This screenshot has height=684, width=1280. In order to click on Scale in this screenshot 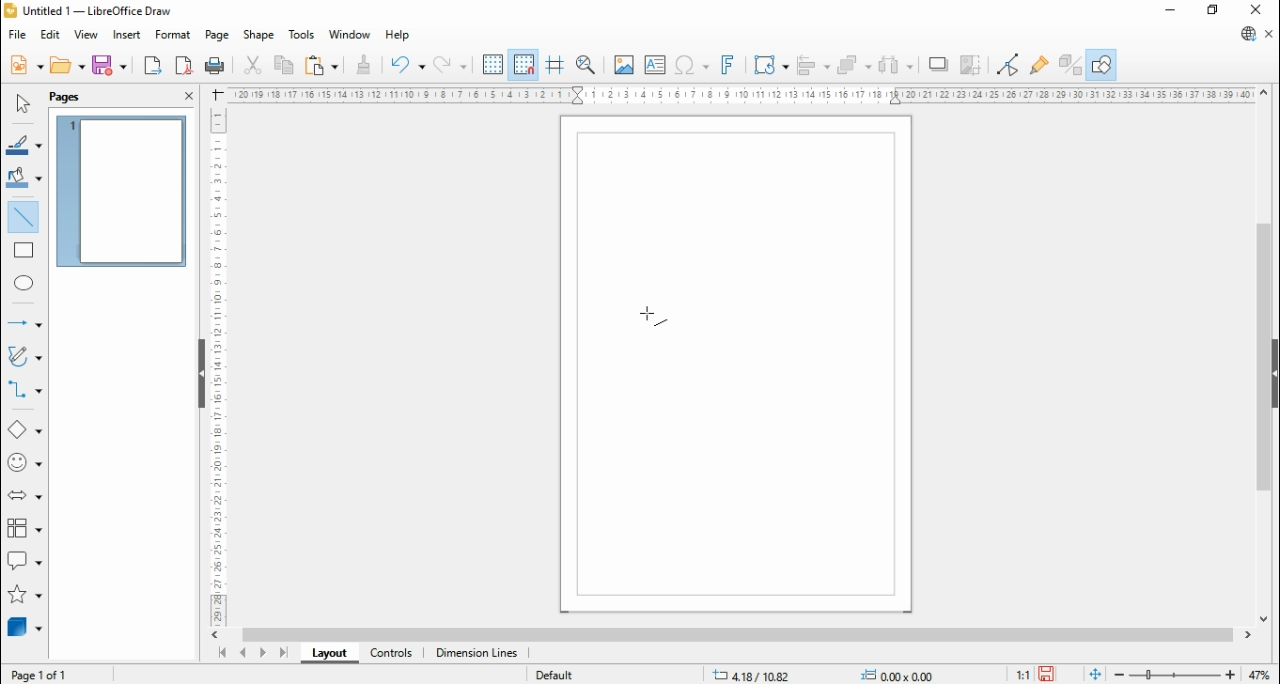, I will do `click(218, 366)`.